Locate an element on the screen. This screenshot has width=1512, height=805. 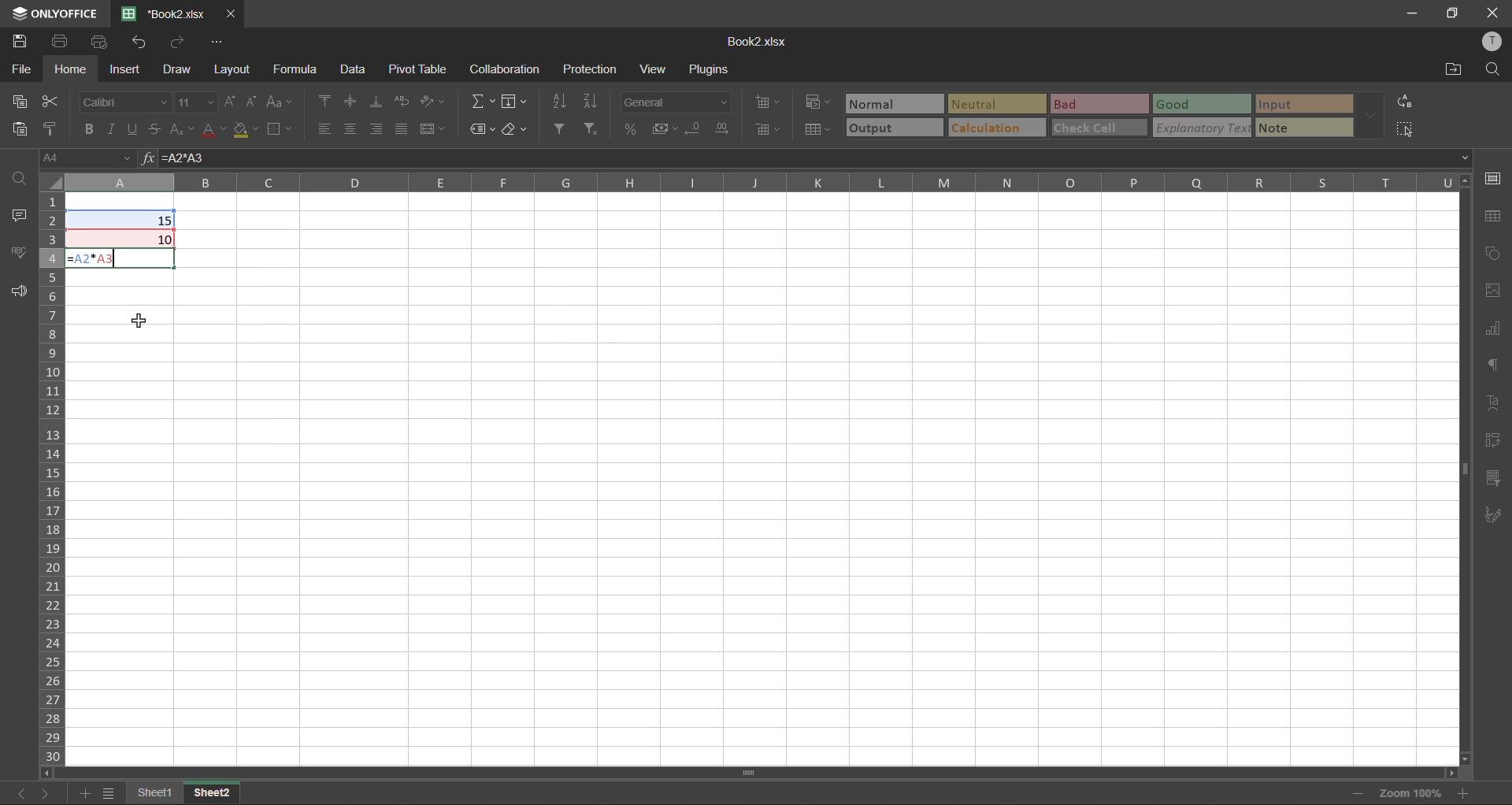
note is located at coordinates (1303, 127).